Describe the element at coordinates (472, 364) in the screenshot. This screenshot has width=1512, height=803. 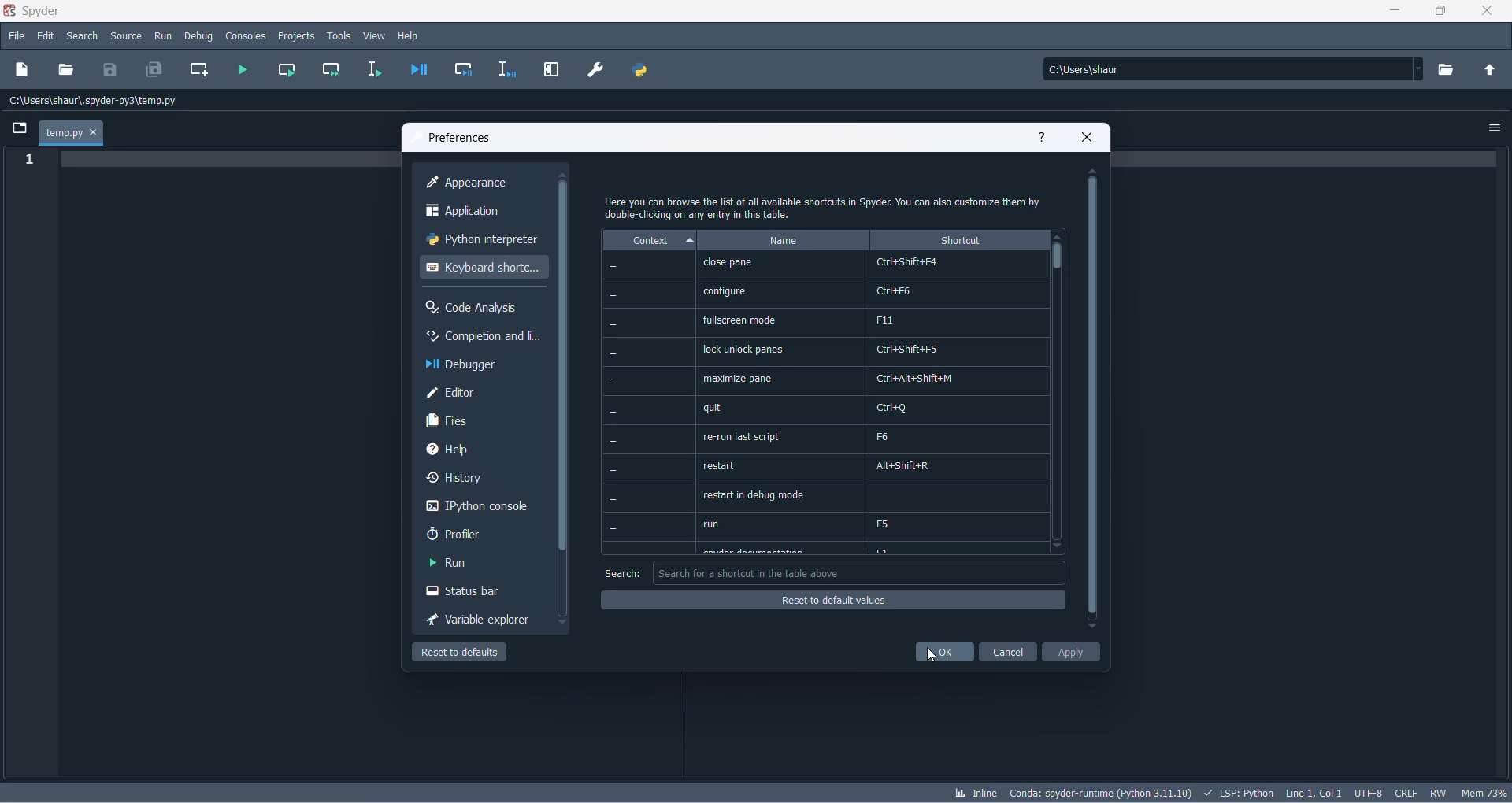
I see `debugger` at that location.